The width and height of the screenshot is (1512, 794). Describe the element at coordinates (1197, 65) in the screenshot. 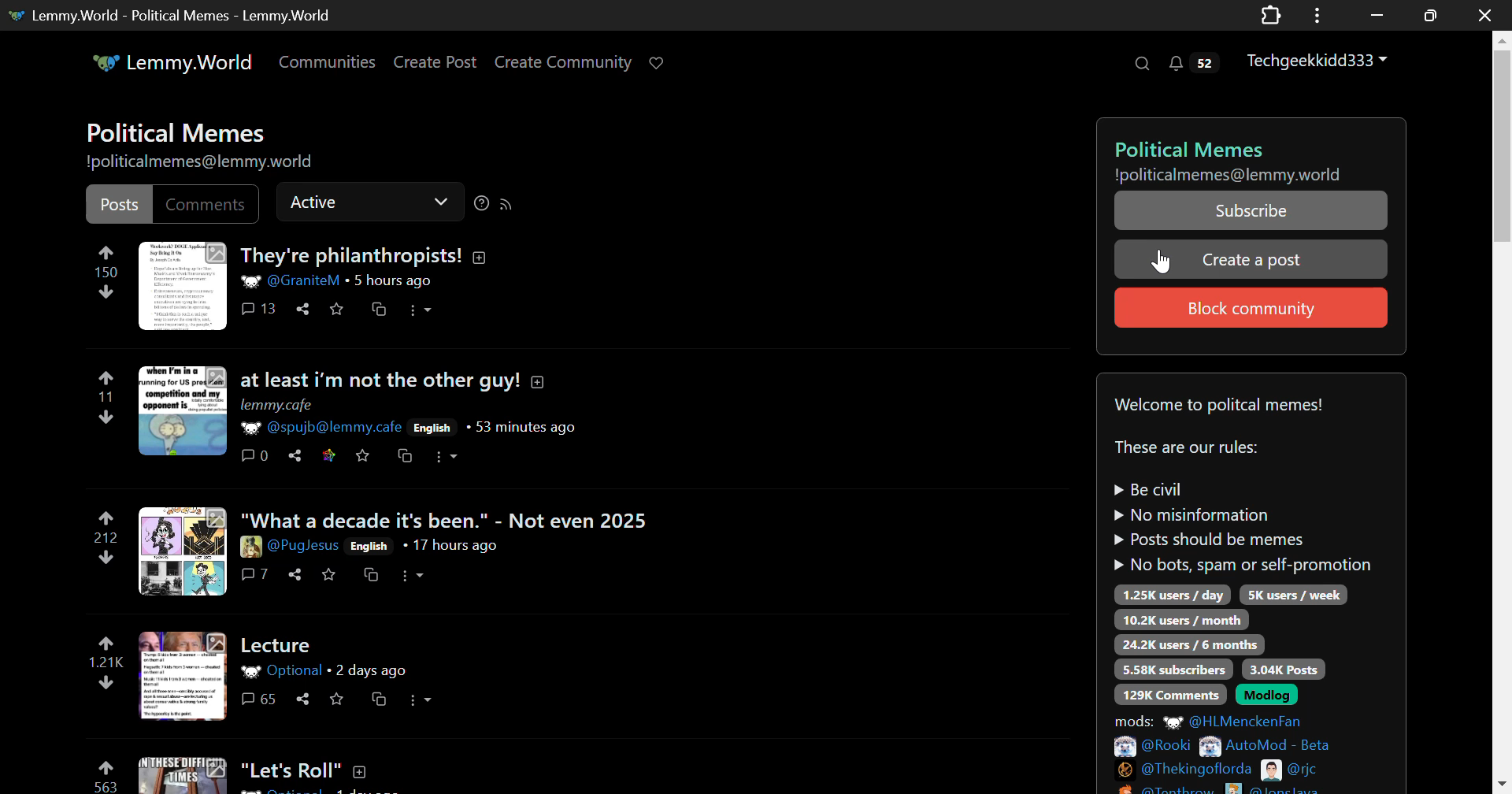

I see `Notifications` at that location.